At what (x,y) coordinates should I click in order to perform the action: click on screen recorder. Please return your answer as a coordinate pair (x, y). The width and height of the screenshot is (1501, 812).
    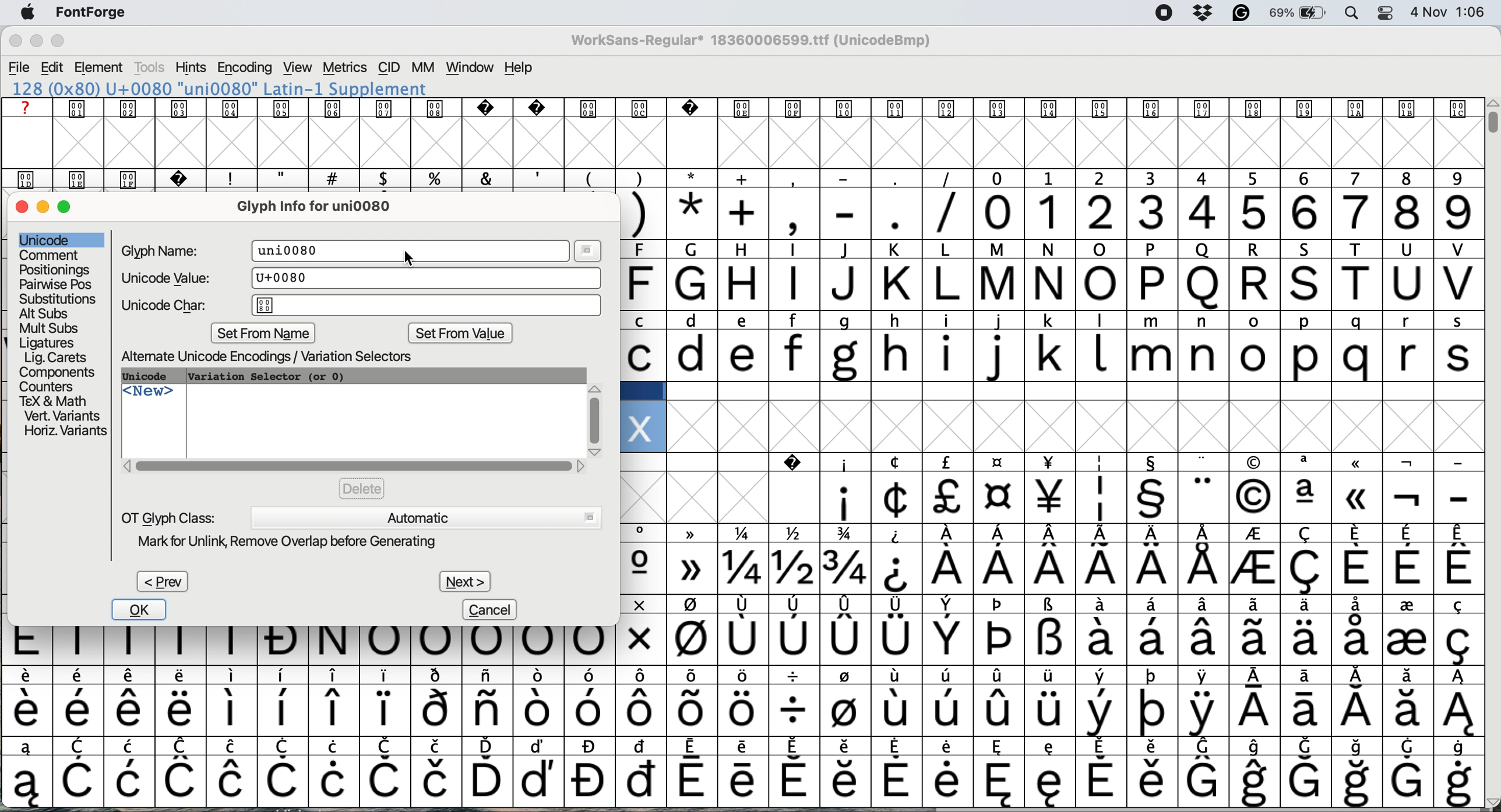
    Looking at the image, I should click on (1160, 13).